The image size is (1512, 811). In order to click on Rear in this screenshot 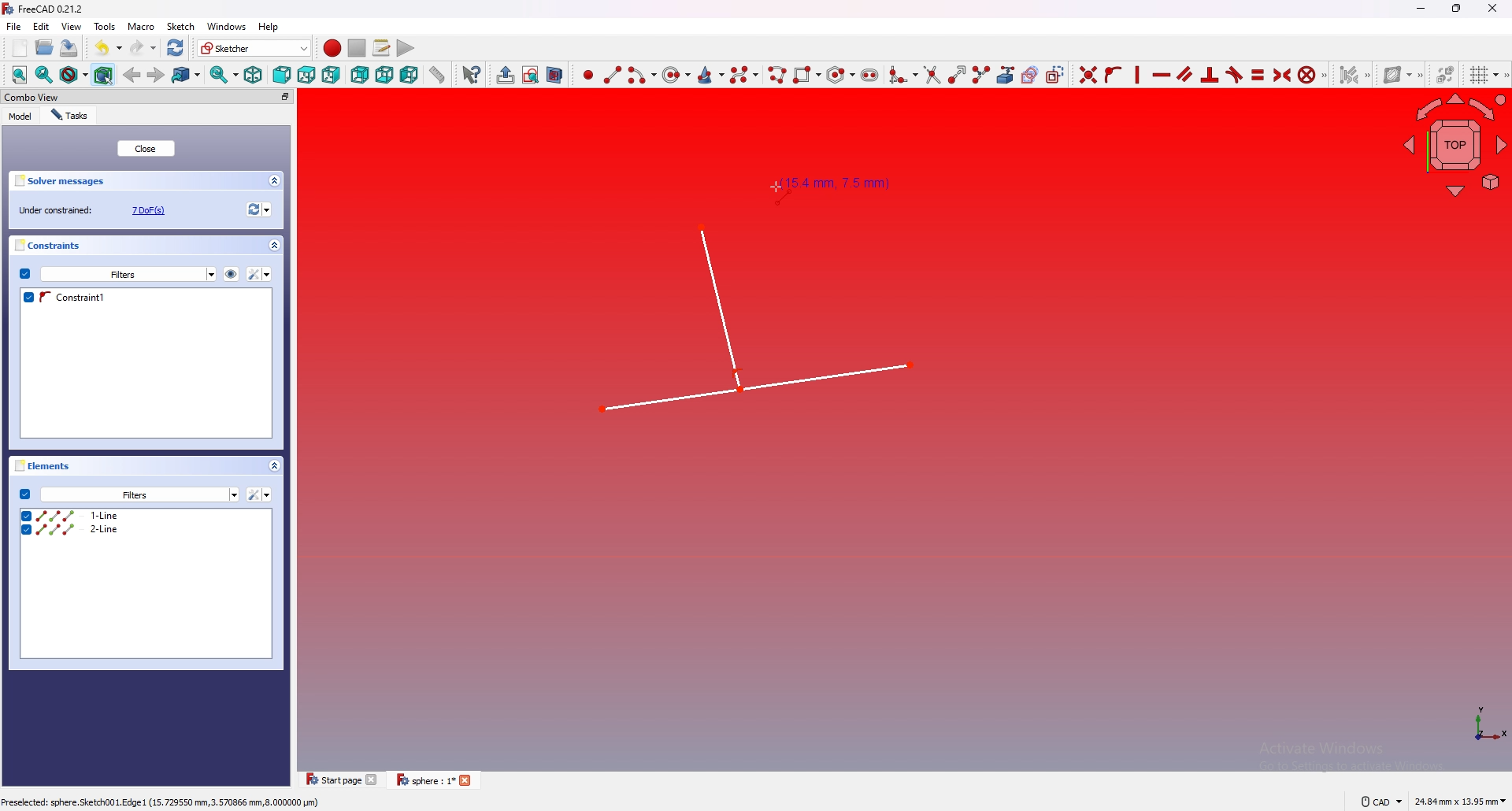, I will do `click(359, 75)`.